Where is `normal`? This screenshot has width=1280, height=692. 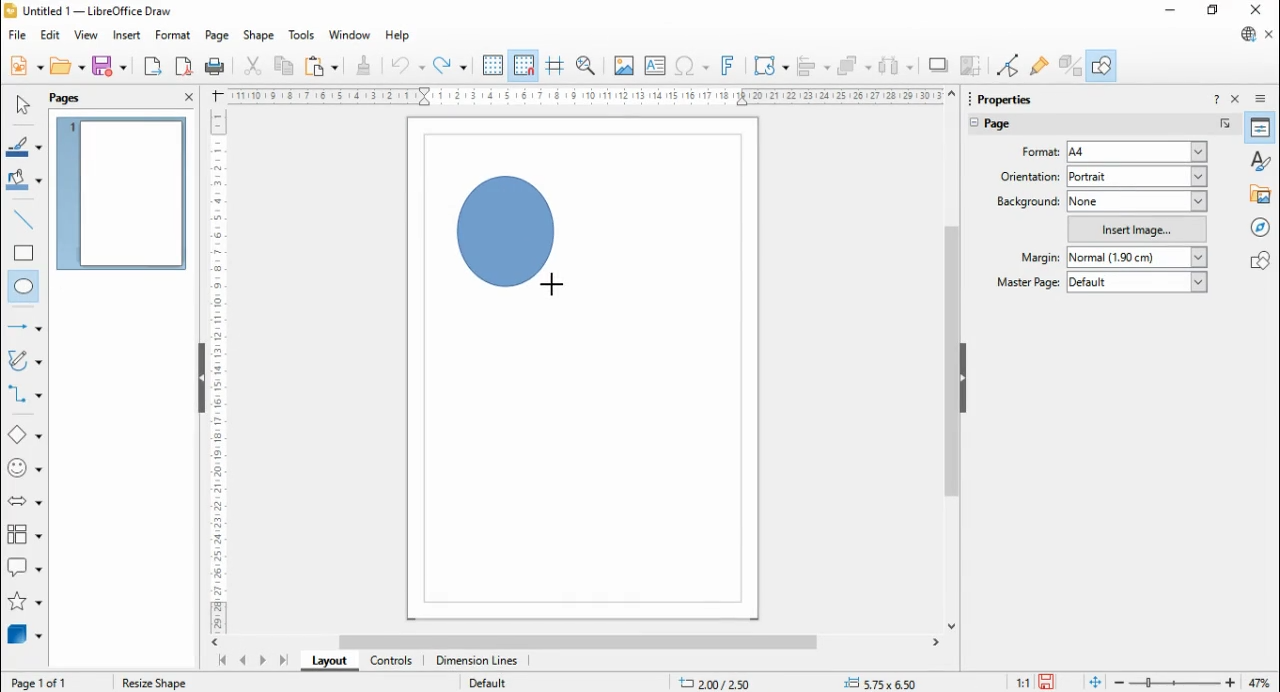
normal is located at coordinates (1137, 258).